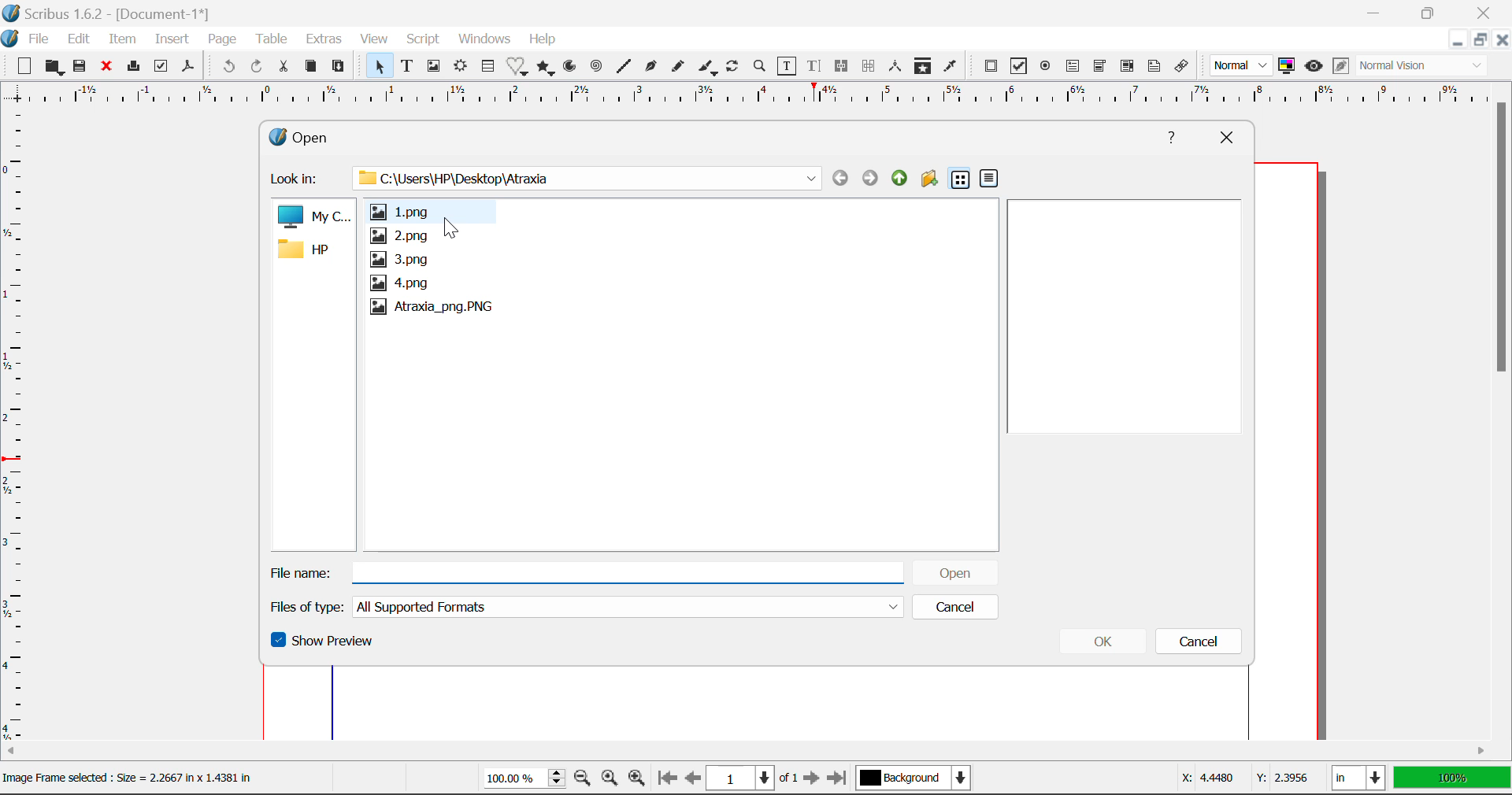 The width and height of the screenshot is (1512, 795). What do you see at coordinates (869, 179) in the screenshot?
I see `Next` at bounding box center [869, 179].